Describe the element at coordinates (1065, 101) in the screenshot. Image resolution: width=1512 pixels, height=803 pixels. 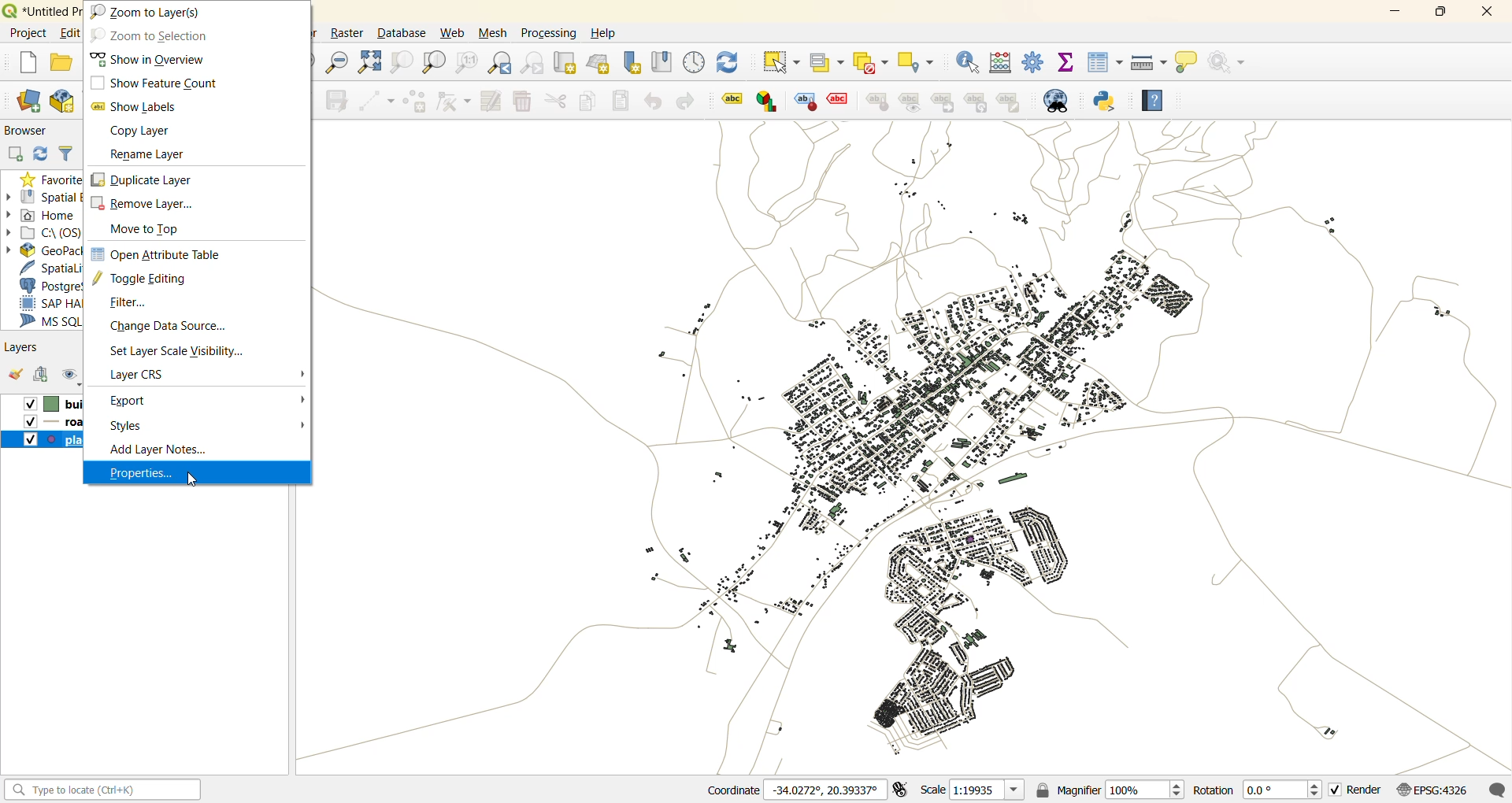
I see `metasearch` at that location.